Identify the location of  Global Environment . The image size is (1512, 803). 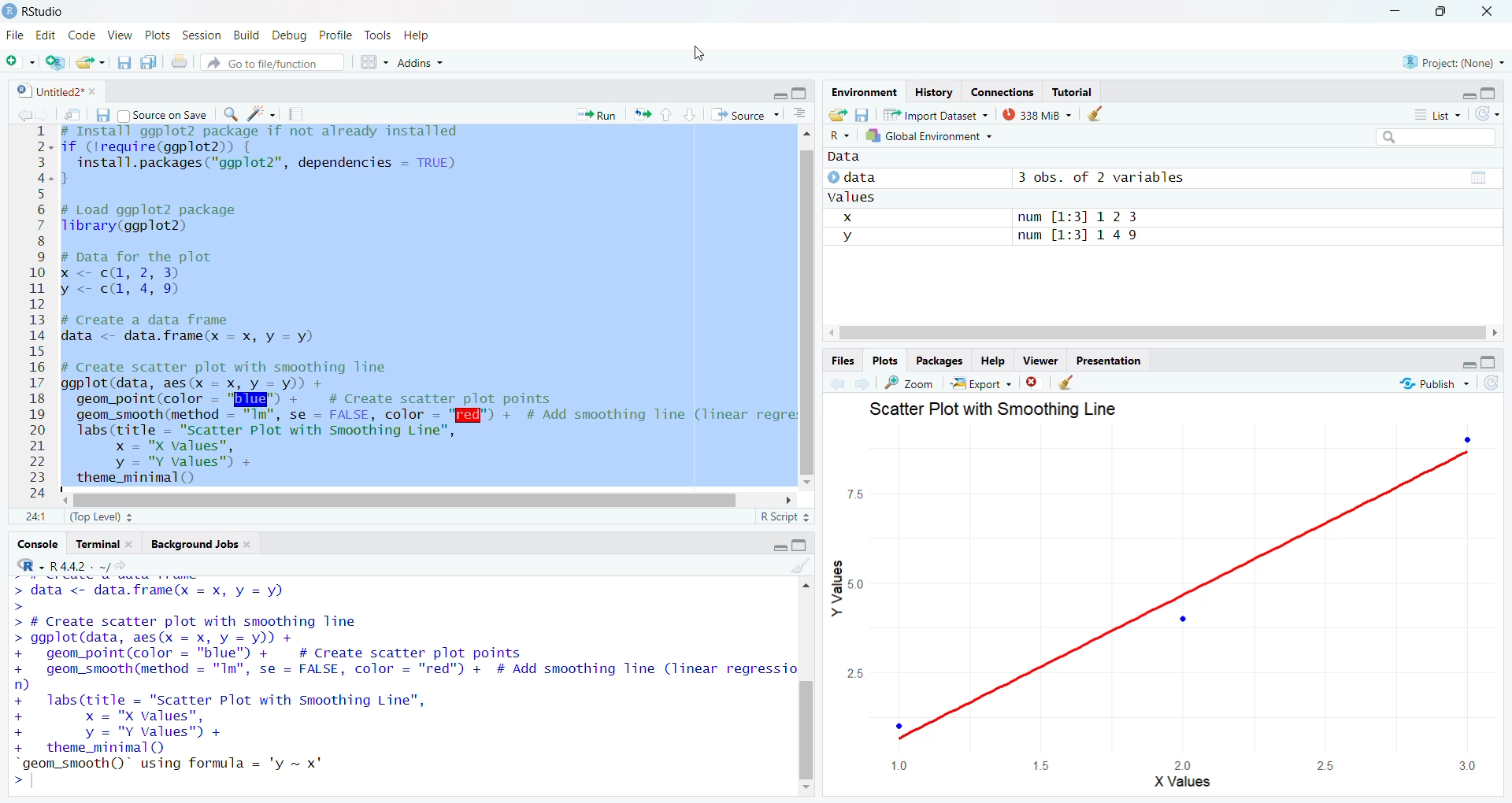
(929, 136).